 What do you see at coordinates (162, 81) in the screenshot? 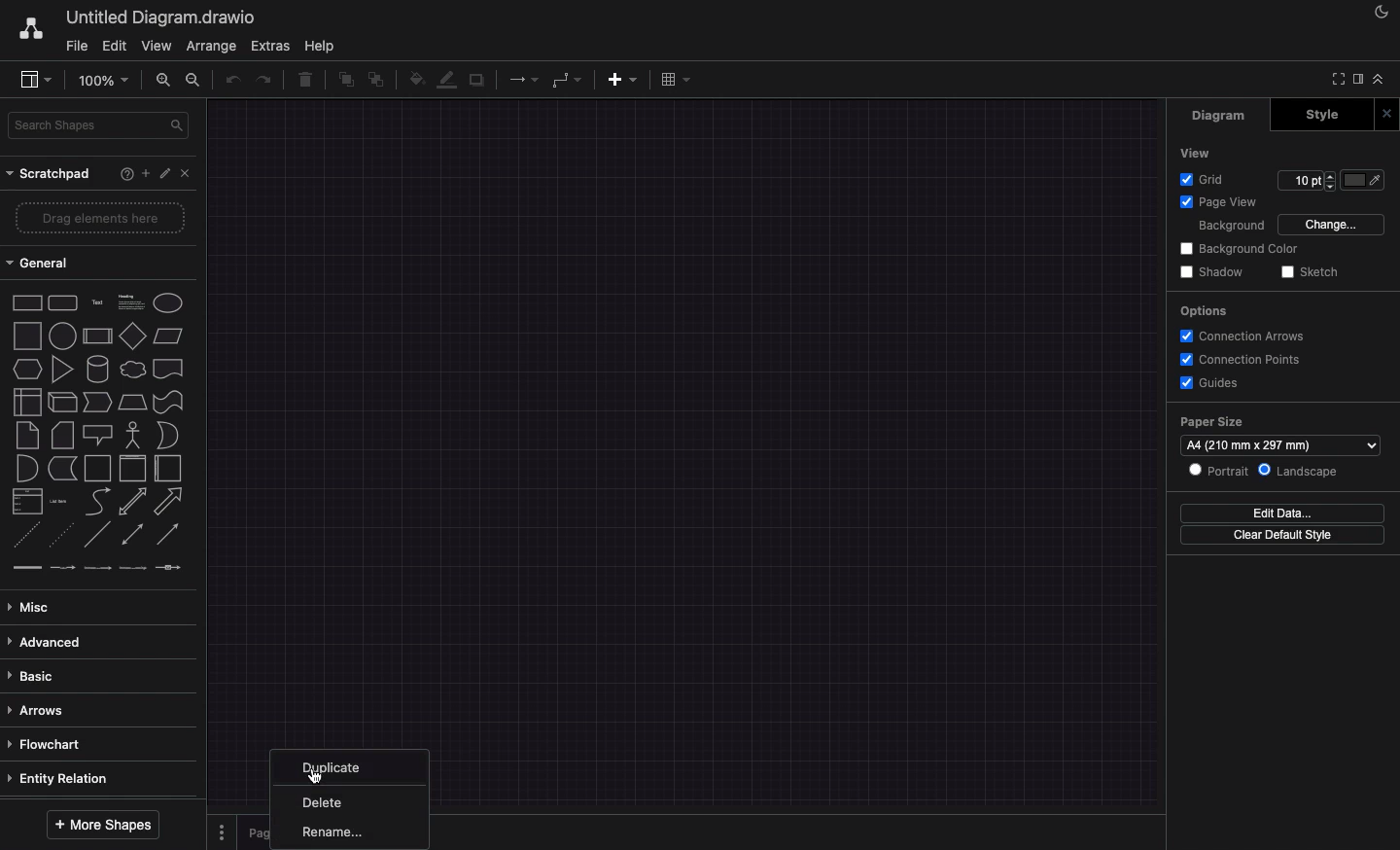
I see `zoom in` at bounding box center [162, 81].